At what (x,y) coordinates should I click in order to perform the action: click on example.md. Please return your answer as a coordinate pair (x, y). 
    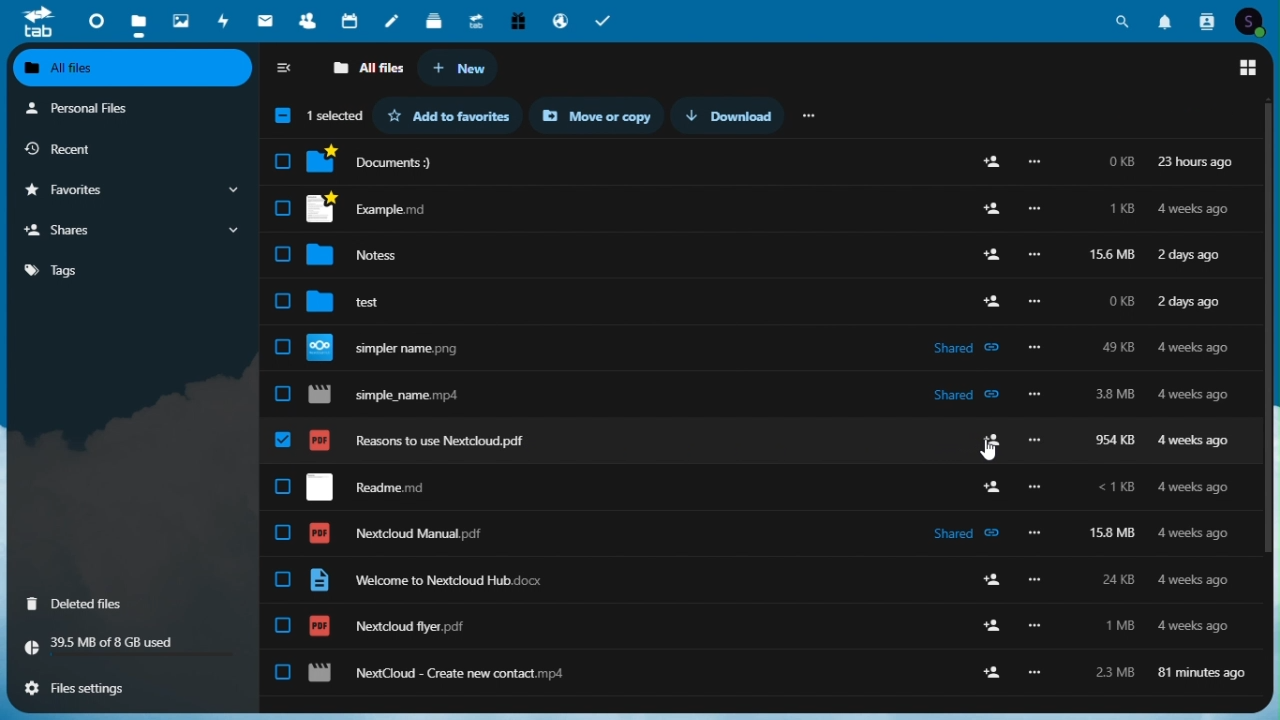
    Looking at the image, I should click on (382, 209).